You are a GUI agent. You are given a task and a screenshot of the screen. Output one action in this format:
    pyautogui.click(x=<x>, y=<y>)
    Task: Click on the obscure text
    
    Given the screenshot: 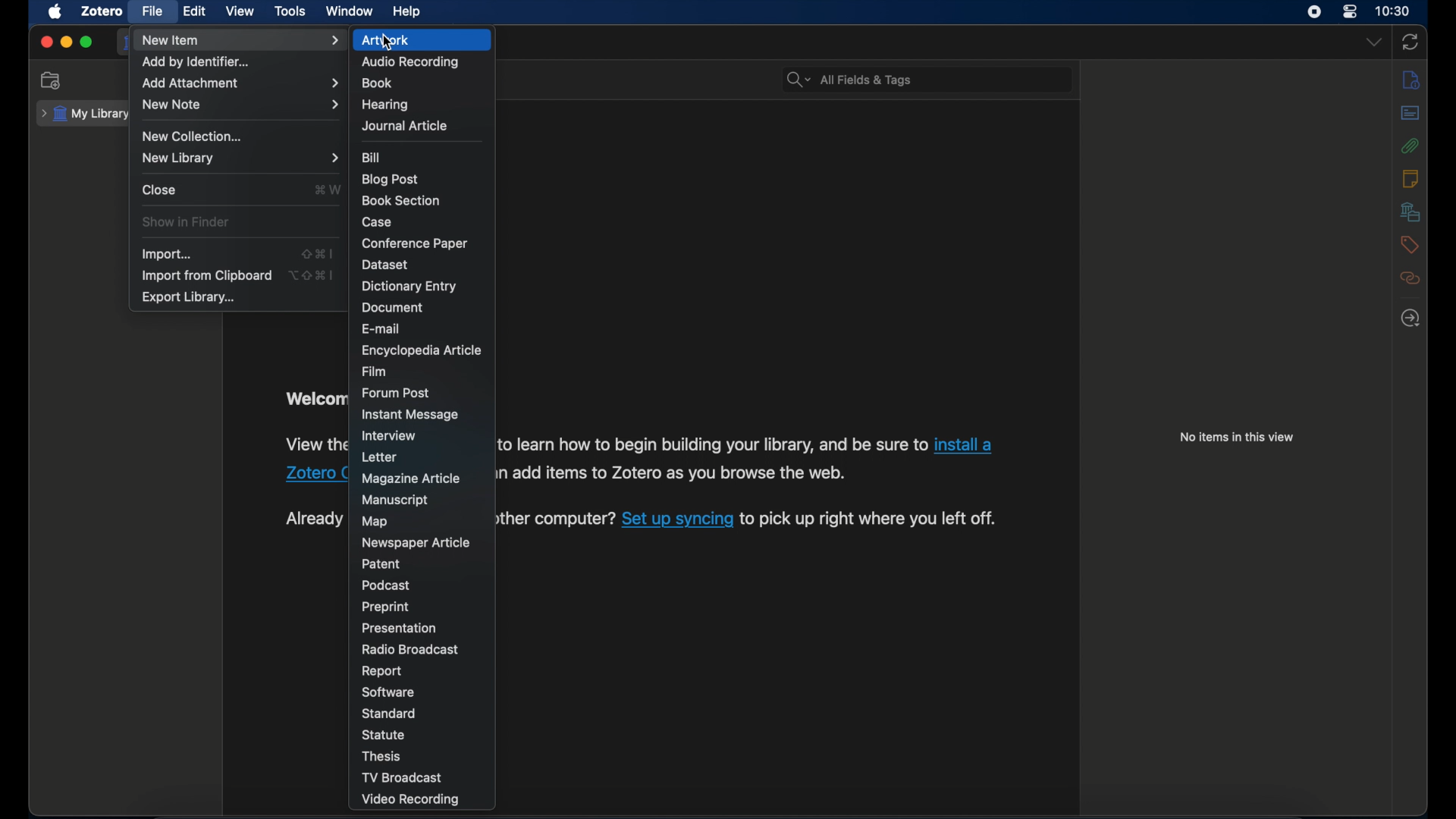 What is the action you would take?
    pyautogui.click(x=313, y=519)
    